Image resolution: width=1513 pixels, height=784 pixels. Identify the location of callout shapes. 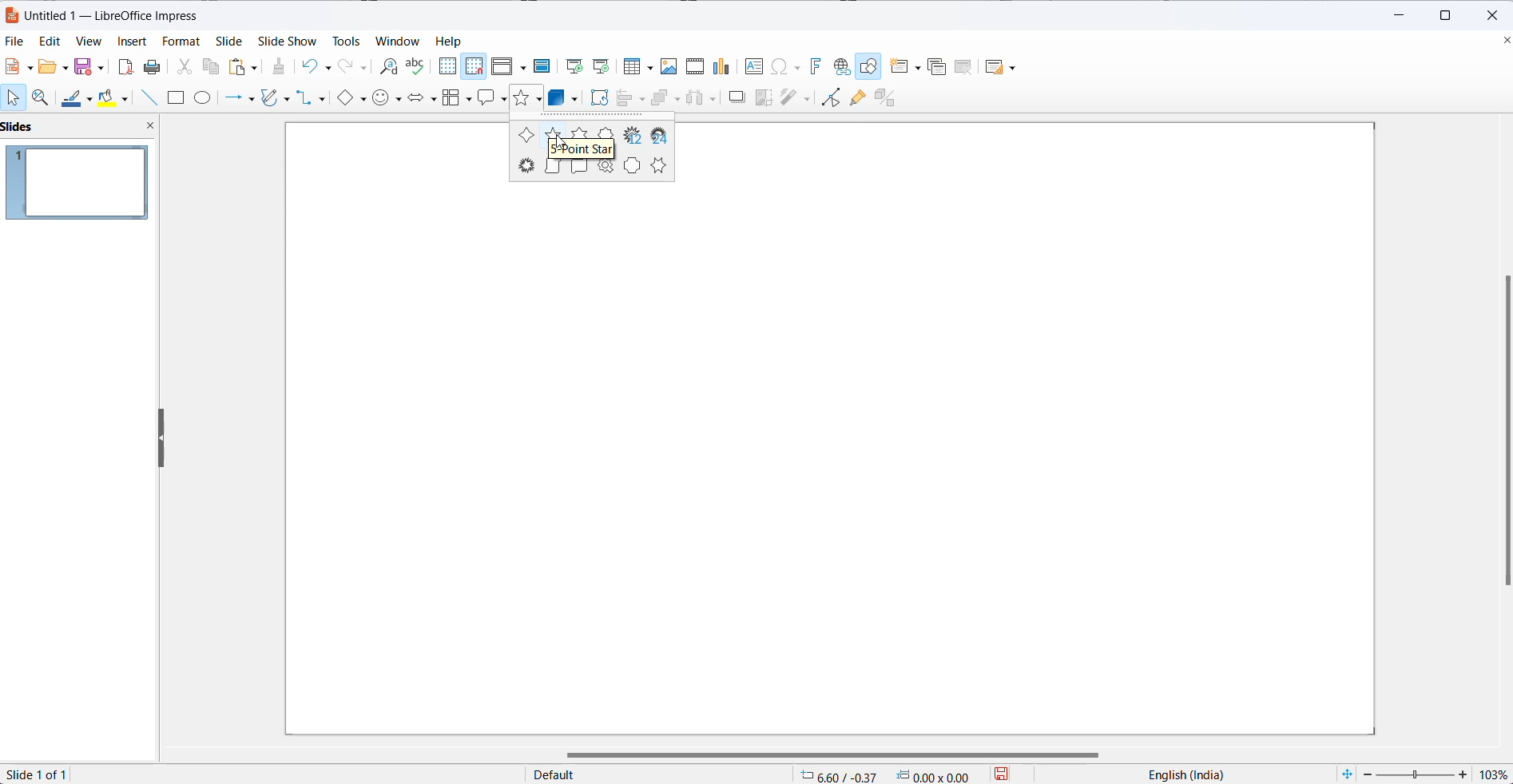
(493, 101).